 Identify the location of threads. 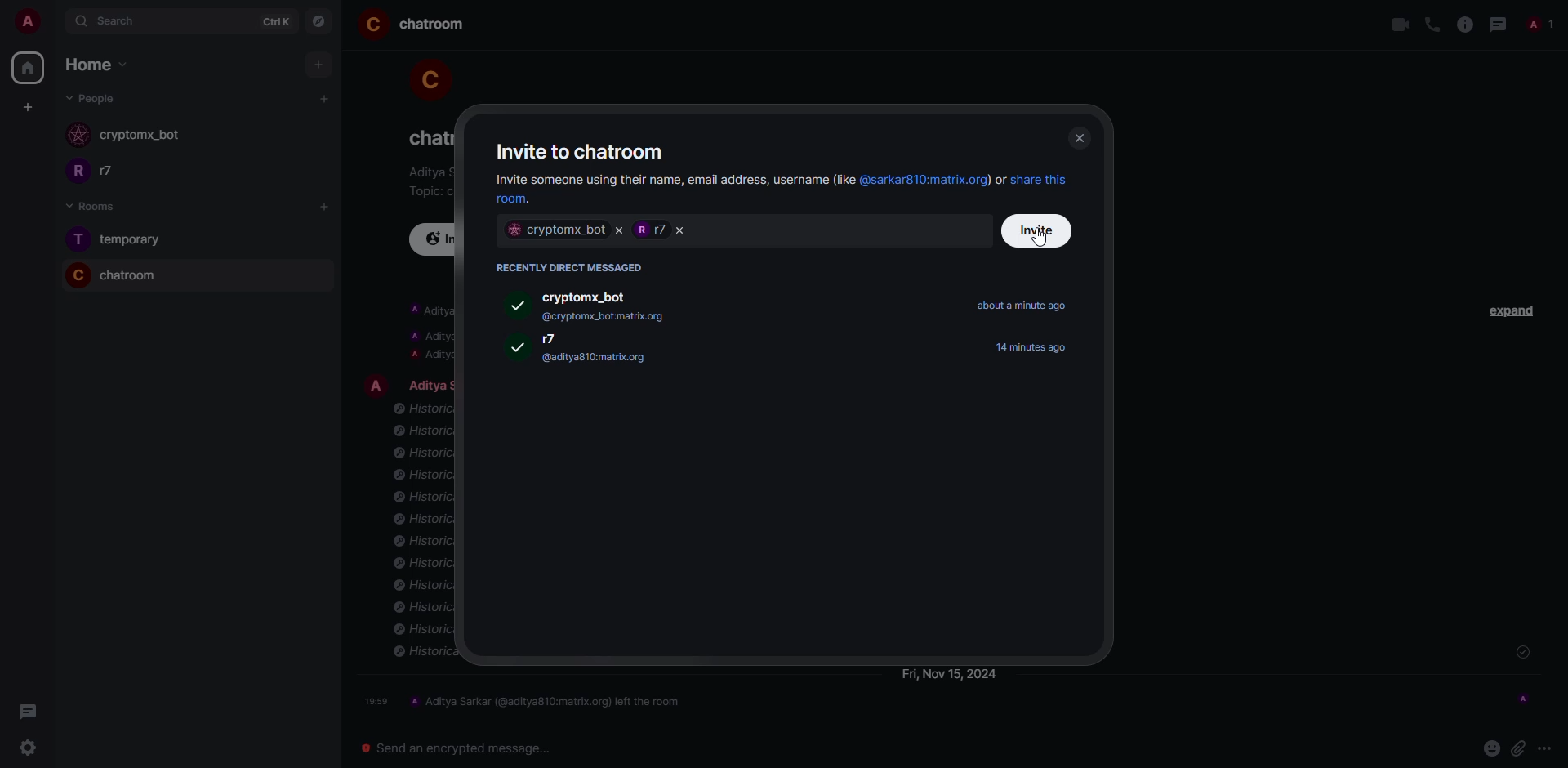
(1497, 25).